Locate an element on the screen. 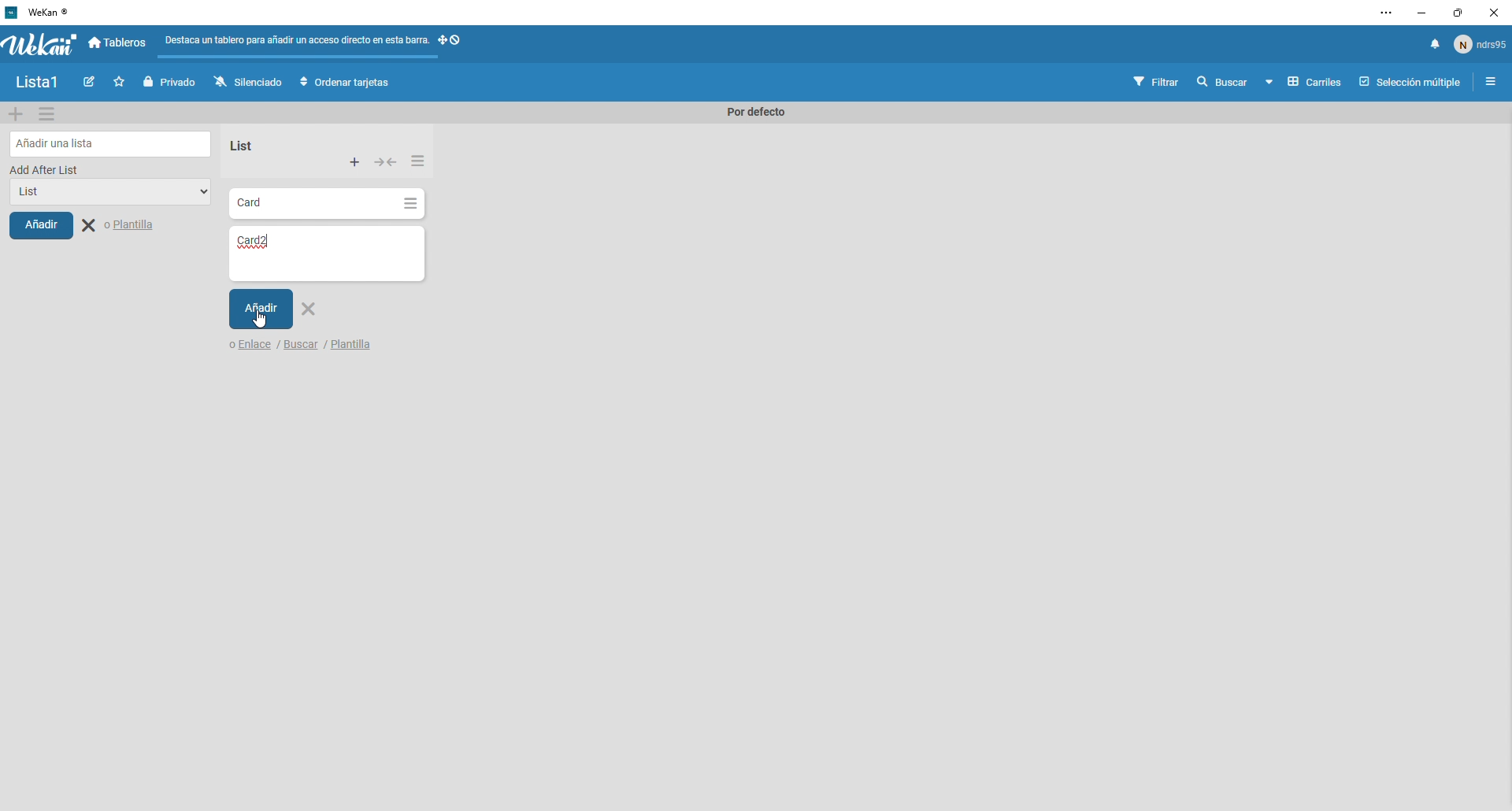  Add is located at coordinates (261, 309).